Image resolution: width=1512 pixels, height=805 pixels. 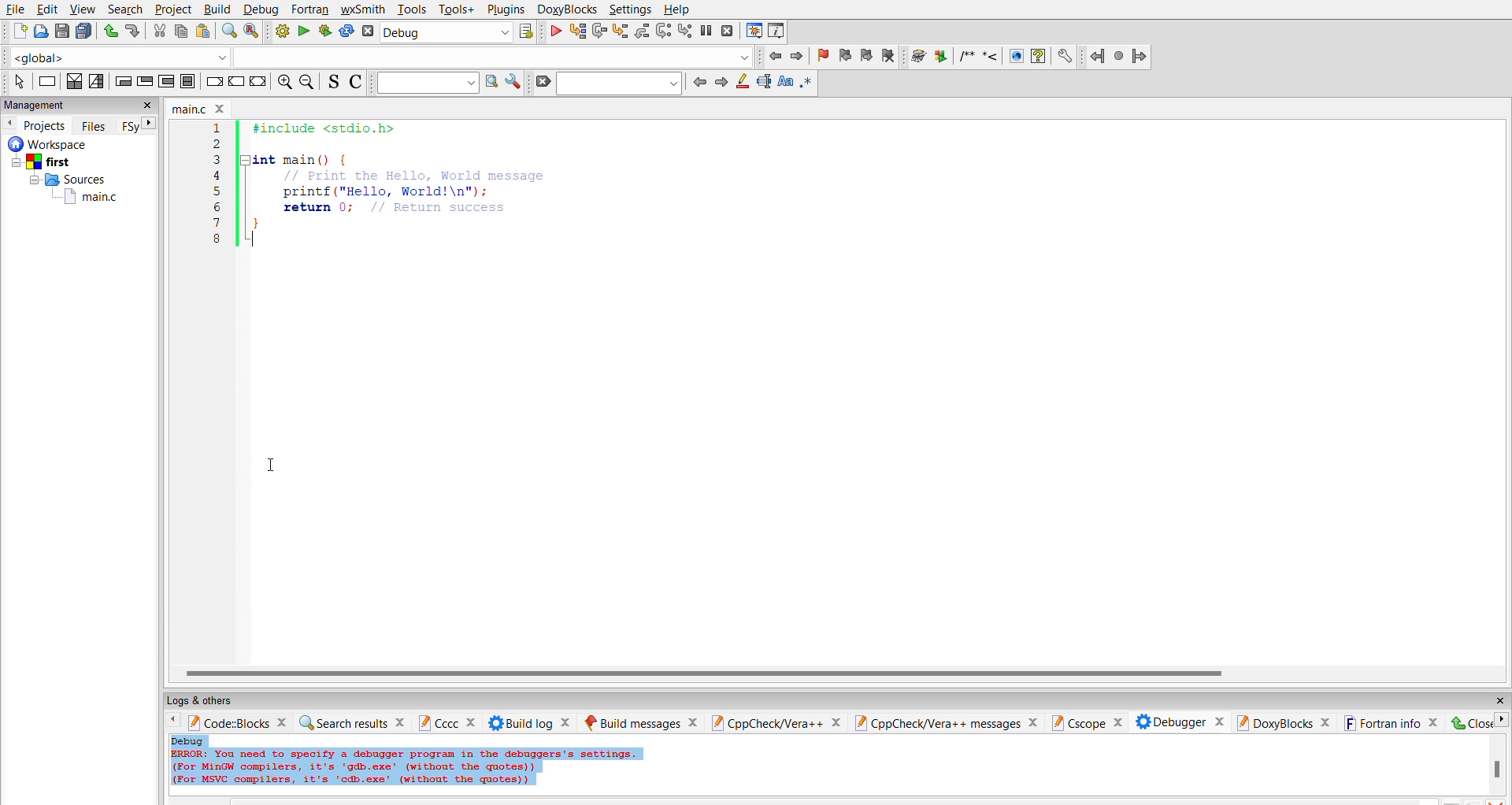 I want to click on select, so click(x=15, y=83).